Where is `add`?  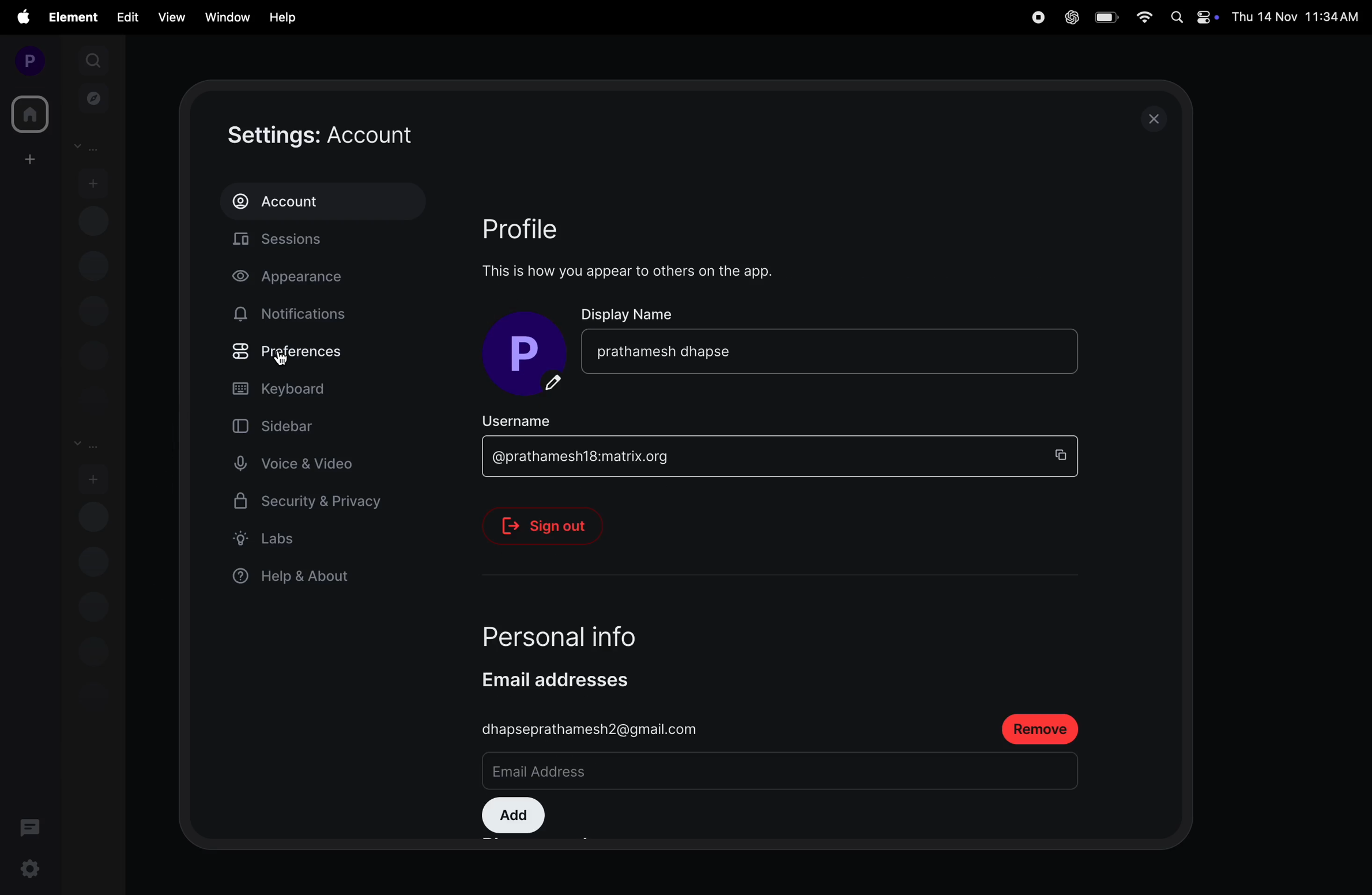 add is located at coordinates (94, 182).